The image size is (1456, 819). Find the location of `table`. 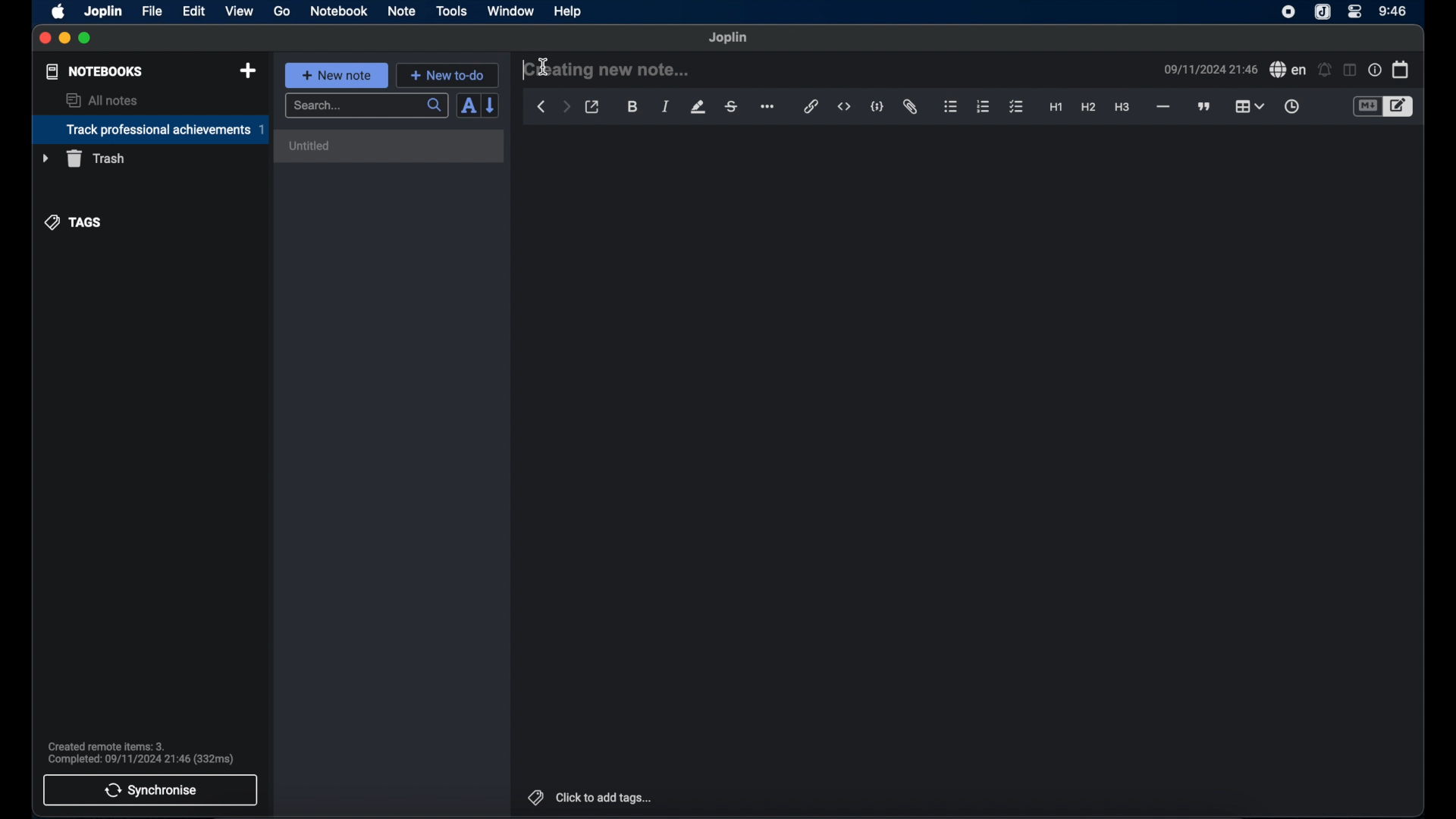

table is located at coordinates (1250, 105).